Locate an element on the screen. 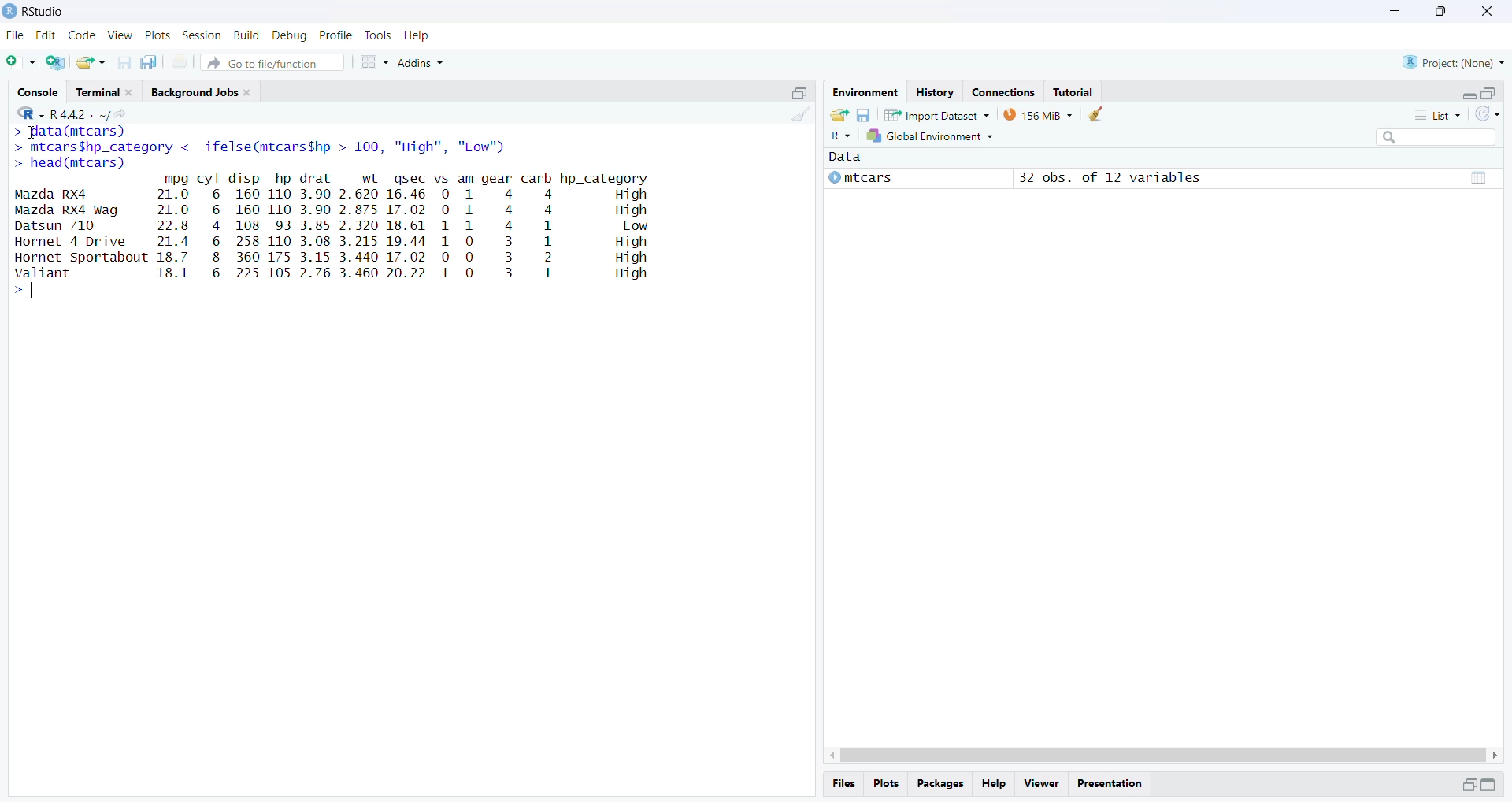 The height and width of the screenshot is (802, 1512). Plots is located at coordinates (889, 785).